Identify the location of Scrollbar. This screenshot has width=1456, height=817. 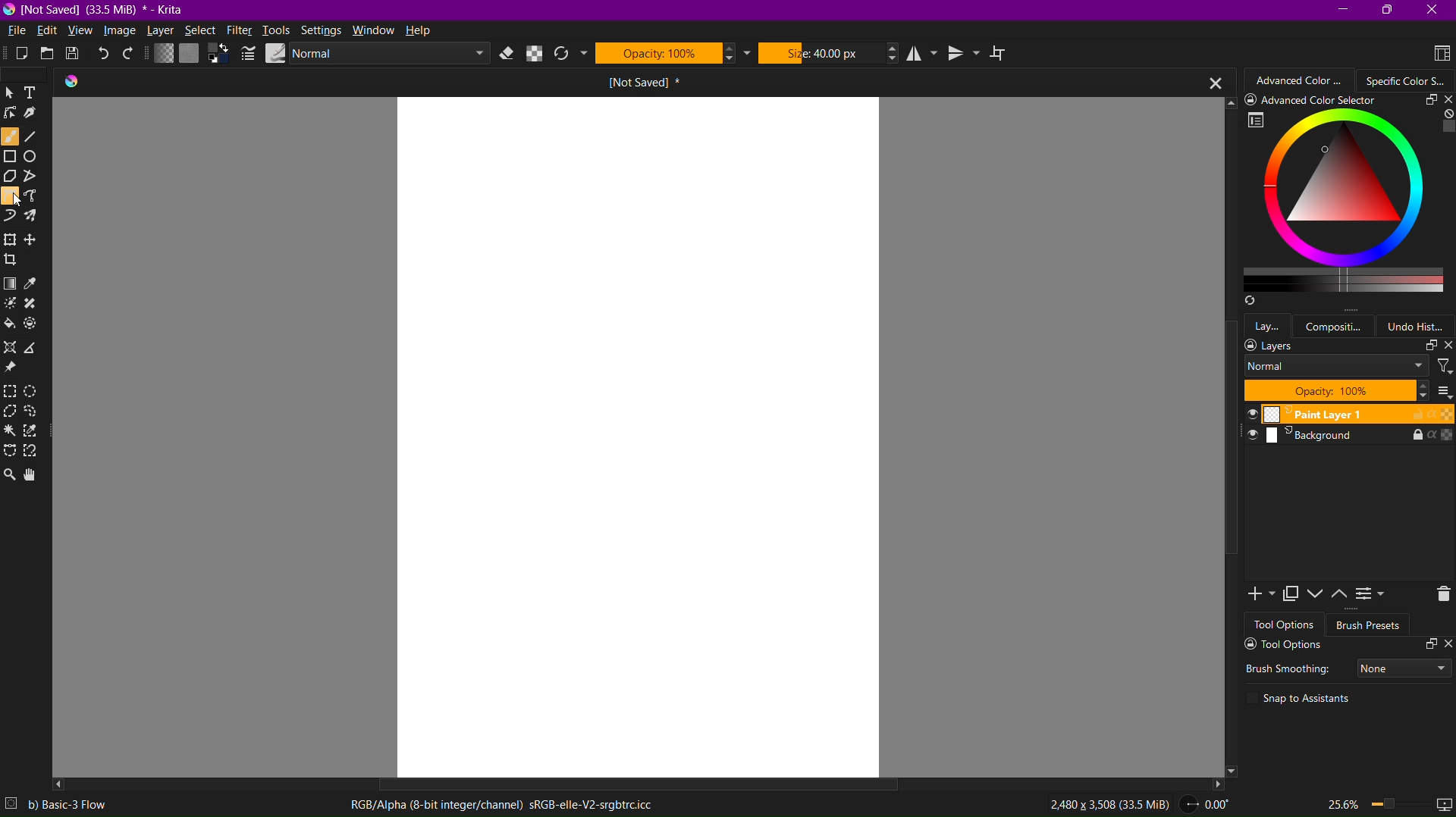
(628, 781).